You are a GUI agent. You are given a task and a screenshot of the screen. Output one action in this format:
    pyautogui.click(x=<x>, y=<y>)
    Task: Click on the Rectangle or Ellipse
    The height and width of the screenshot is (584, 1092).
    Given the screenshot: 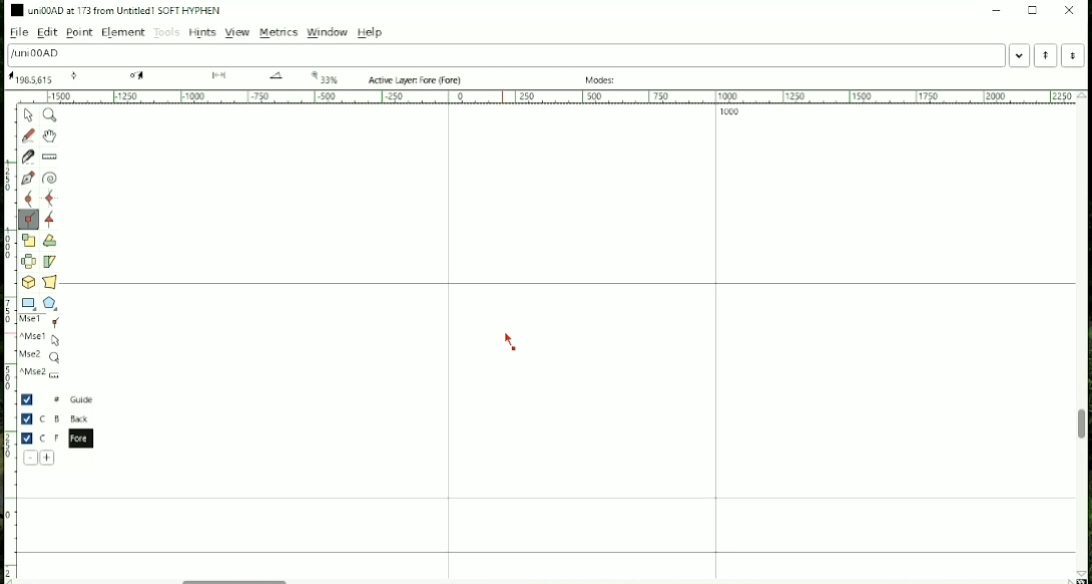 What is the action you would take?
    pyautogui.click(x=29, y=304)
    